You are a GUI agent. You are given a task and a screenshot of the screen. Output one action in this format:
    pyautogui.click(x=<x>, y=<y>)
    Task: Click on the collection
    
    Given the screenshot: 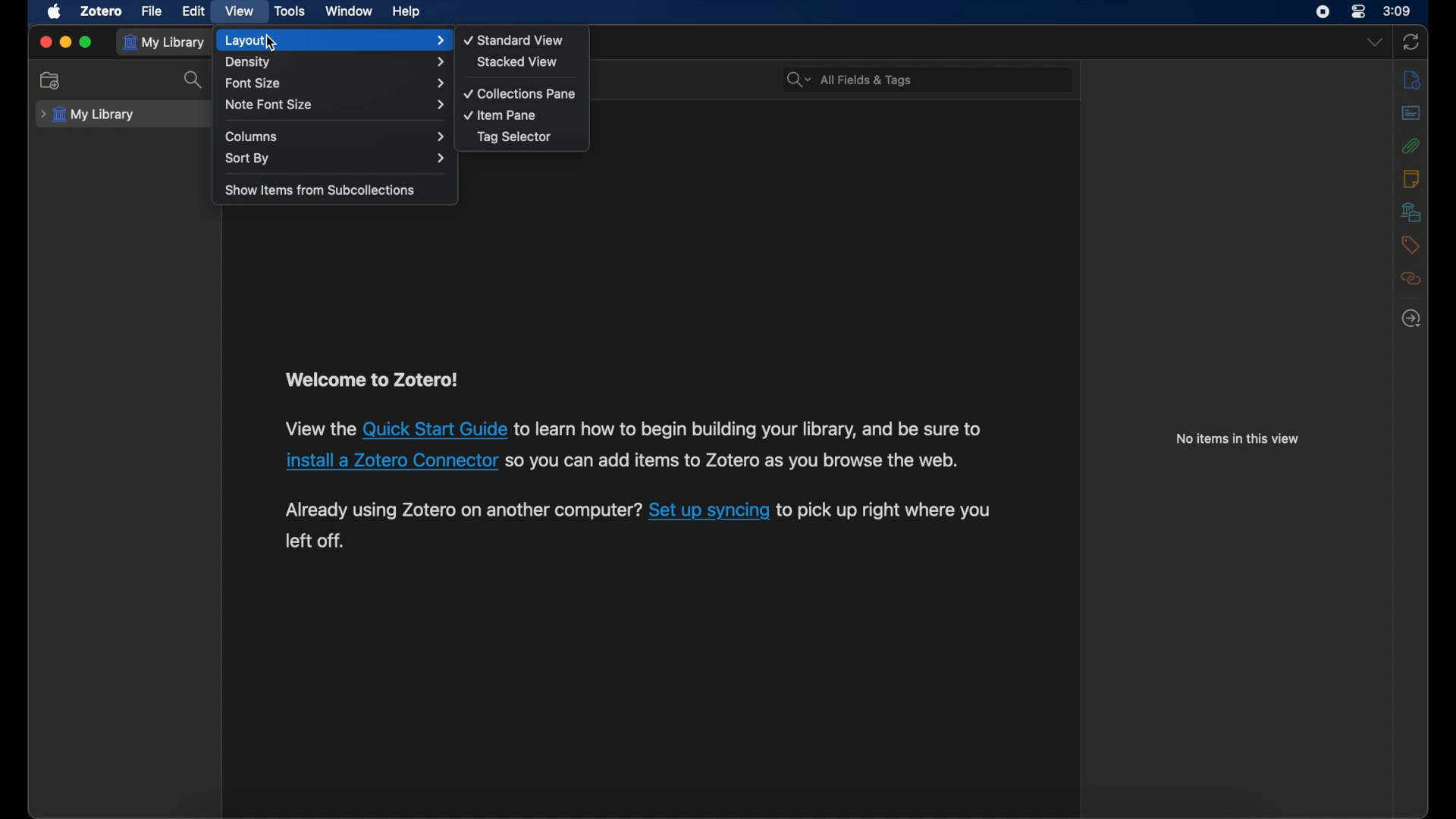 What is the action you would take?
    pyautogui.click(x=51, y=80)
    